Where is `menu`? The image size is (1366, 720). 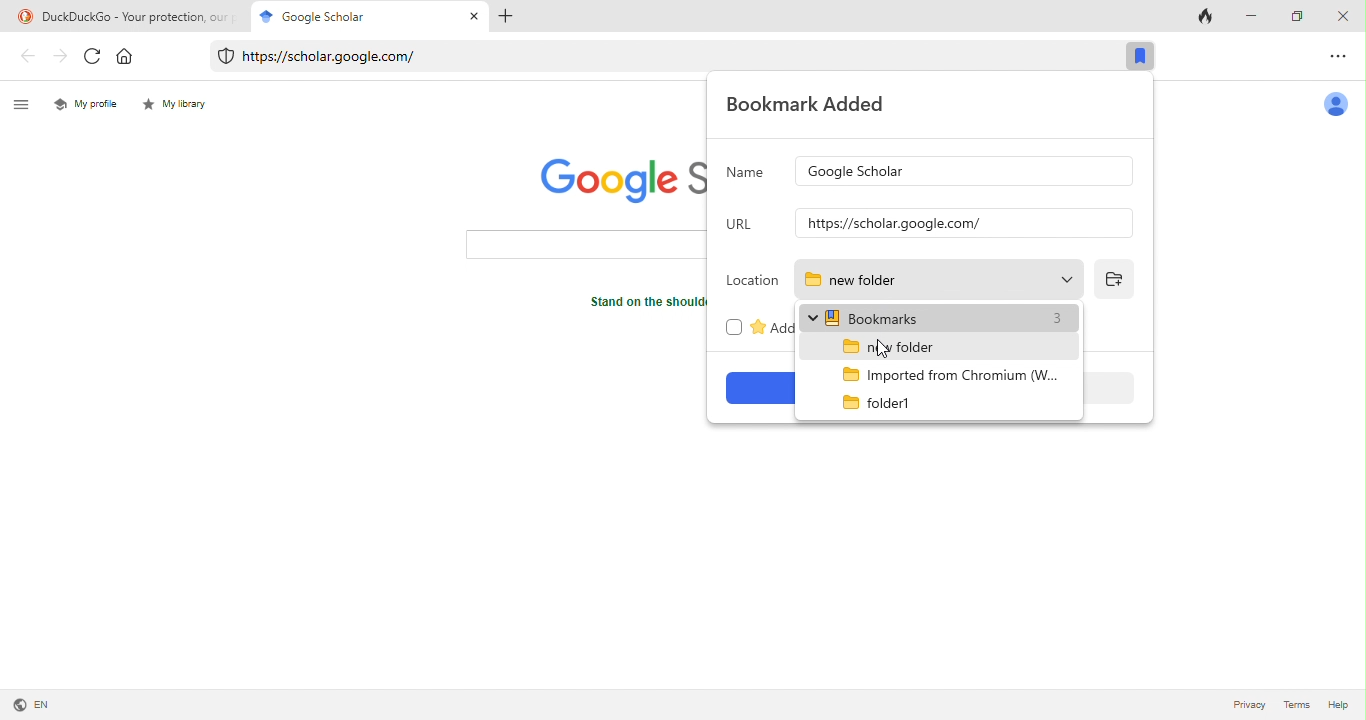 menu is located at coordinates (25, 104).